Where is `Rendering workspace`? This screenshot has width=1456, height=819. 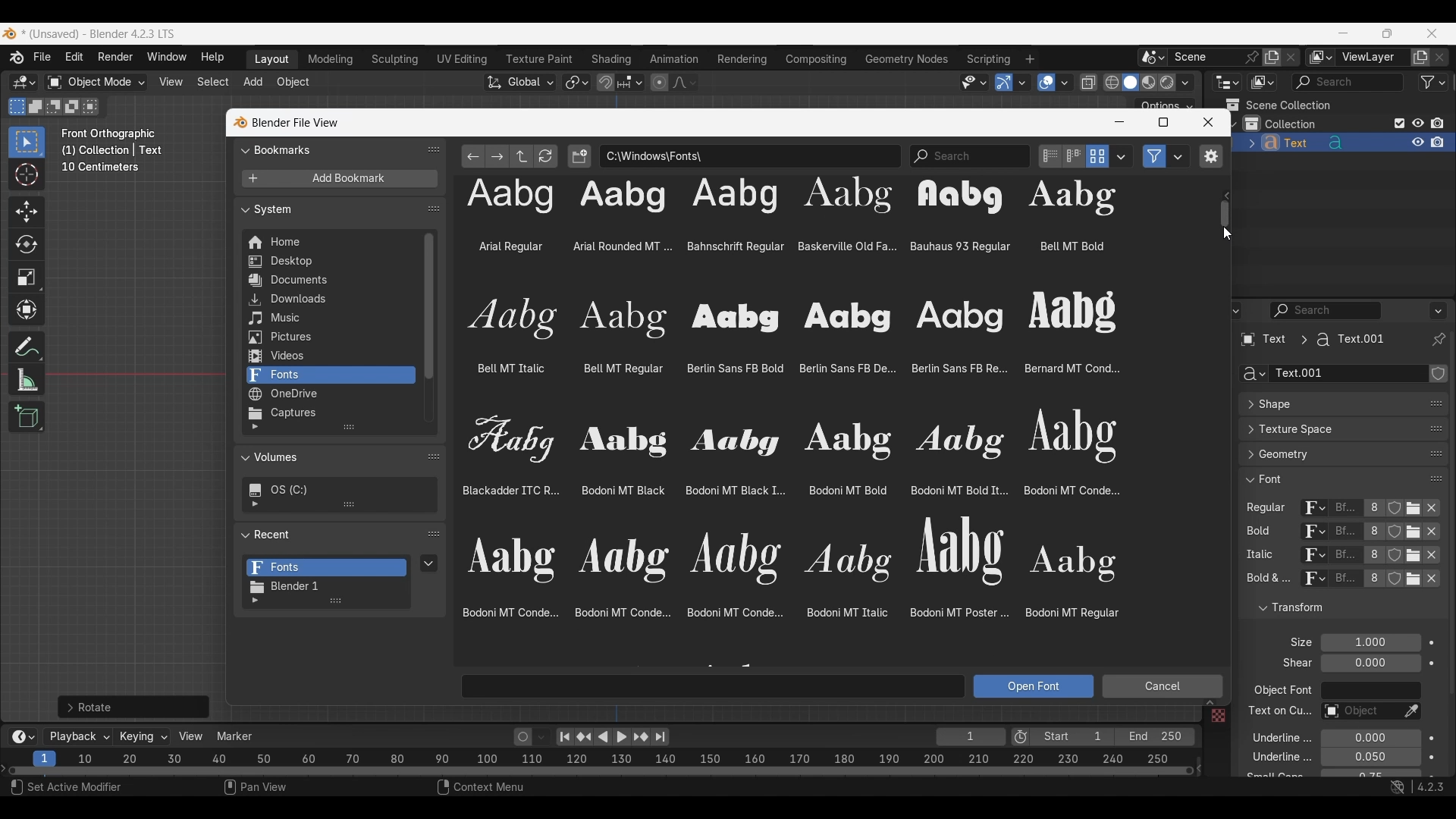
Rendering workspace is located at coordinates (742, 58).